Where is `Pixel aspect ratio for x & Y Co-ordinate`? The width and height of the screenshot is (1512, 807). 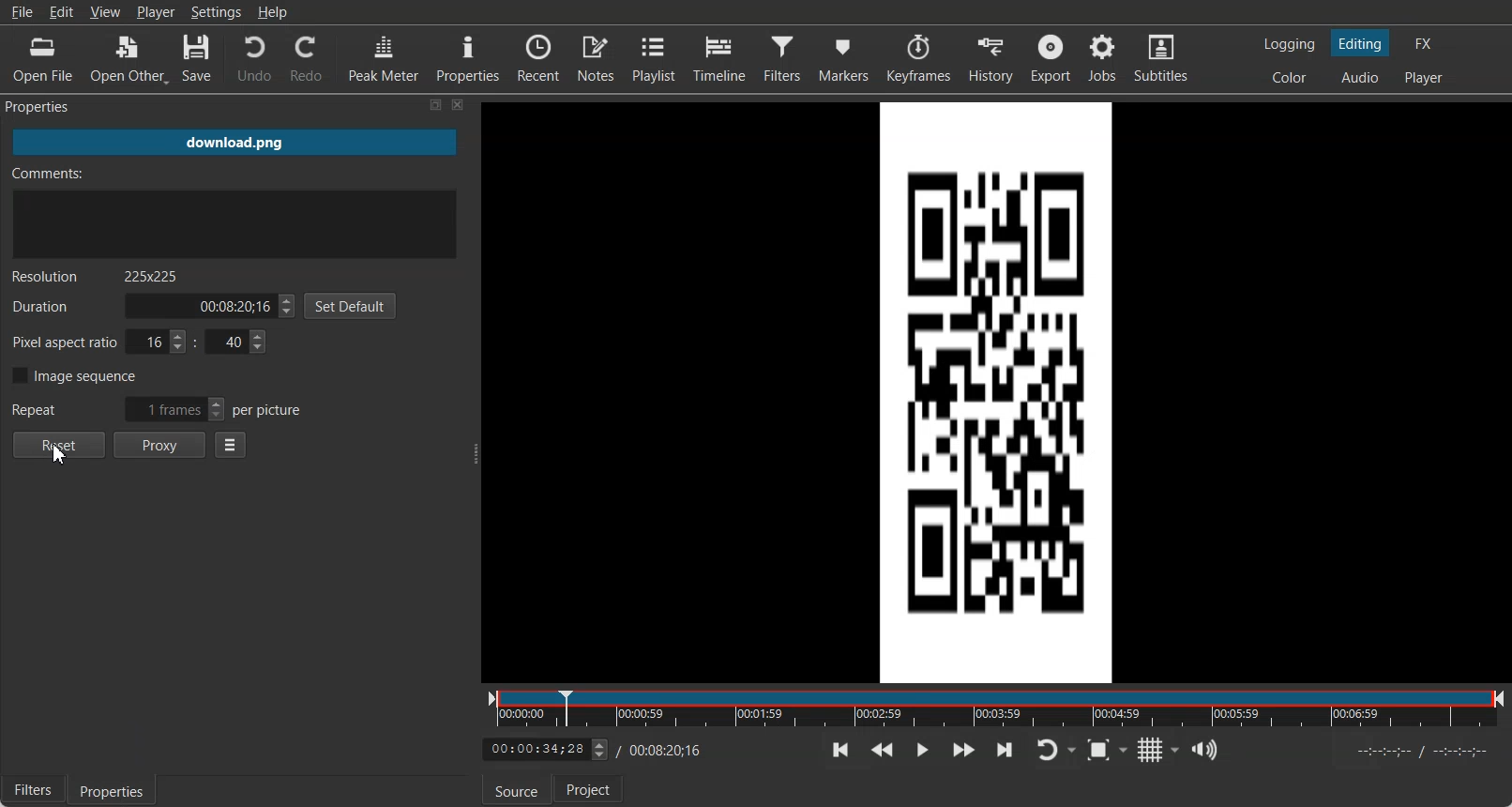
Pixel aspect ratio for x & Y Co-ordinate is located at coordinates (141, 342).